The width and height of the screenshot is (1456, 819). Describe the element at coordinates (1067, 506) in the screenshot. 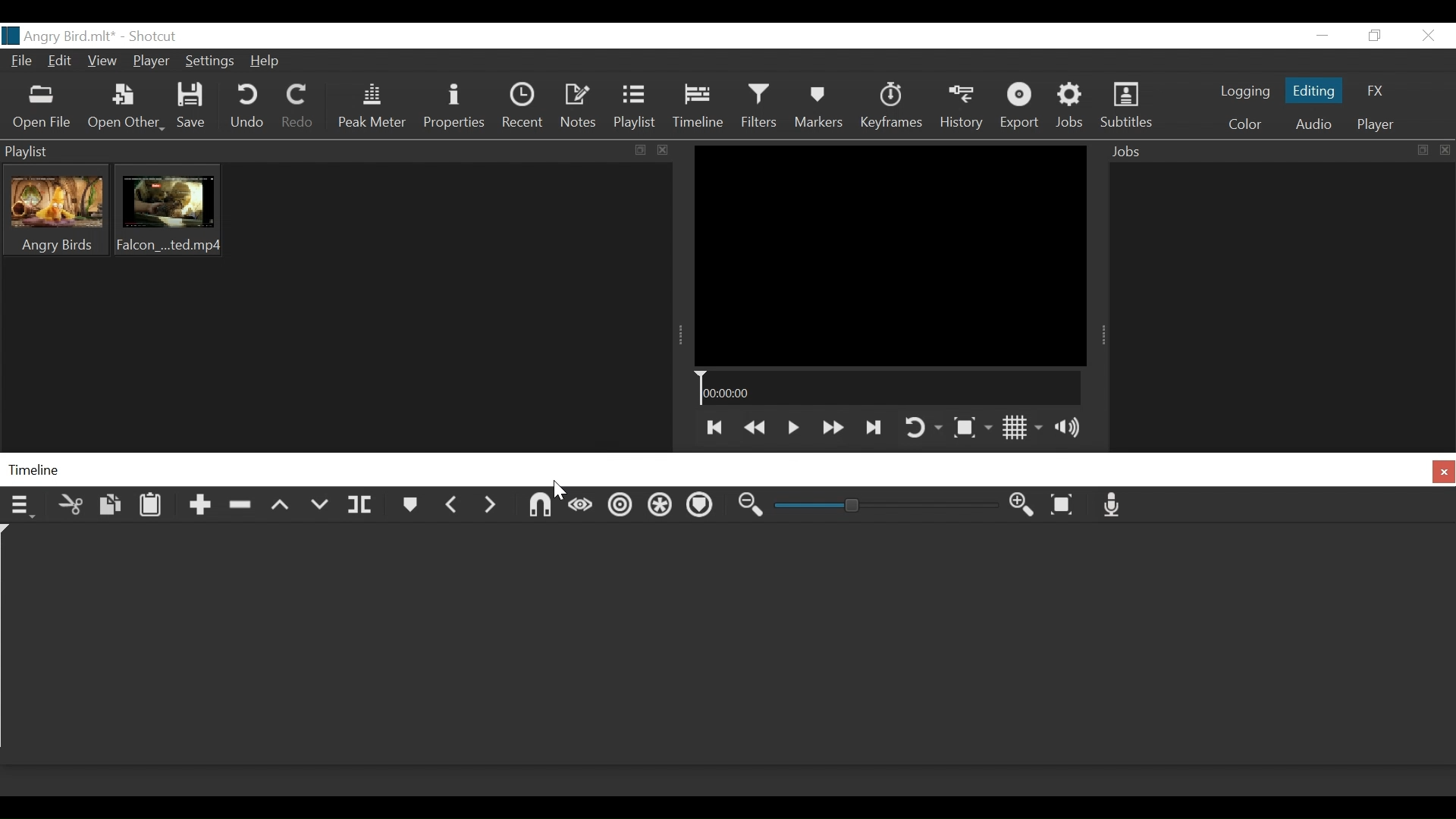

I see `Zoom timeline to fit` at that location.